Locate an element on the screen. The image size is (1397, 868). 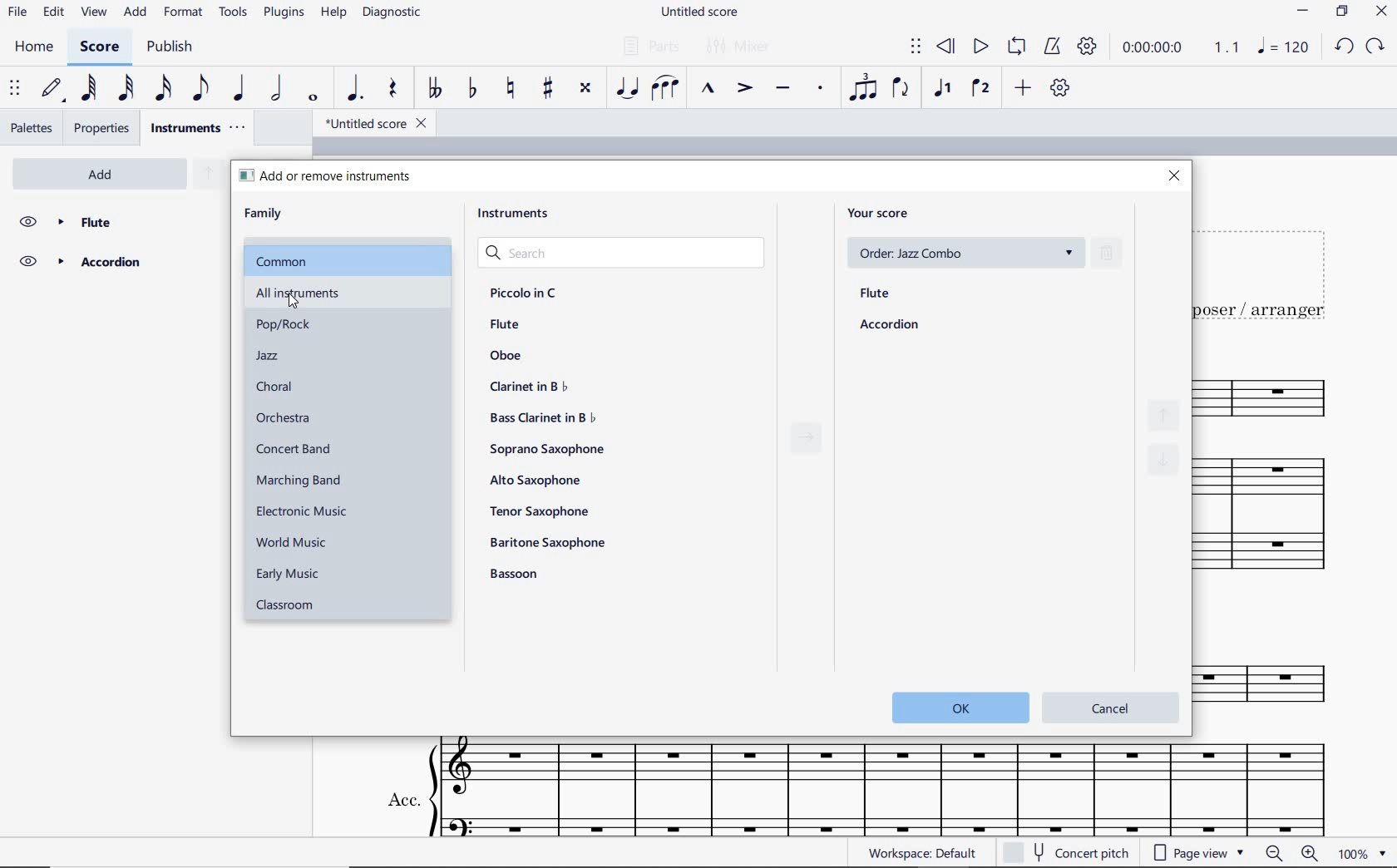
your score is located at coordinates (881, 214).